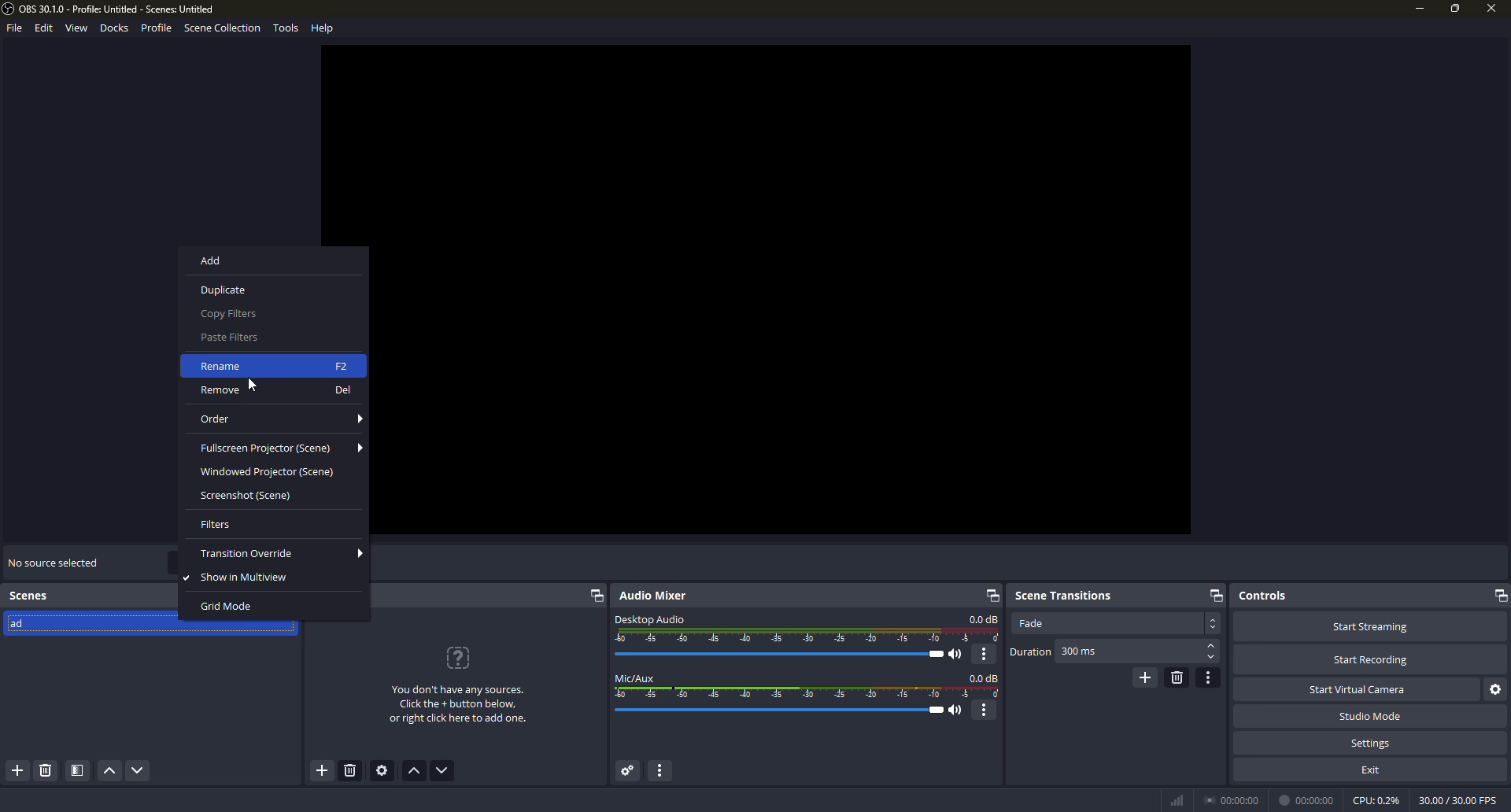  I want to click on Show in Multiview, so click(272, 580).